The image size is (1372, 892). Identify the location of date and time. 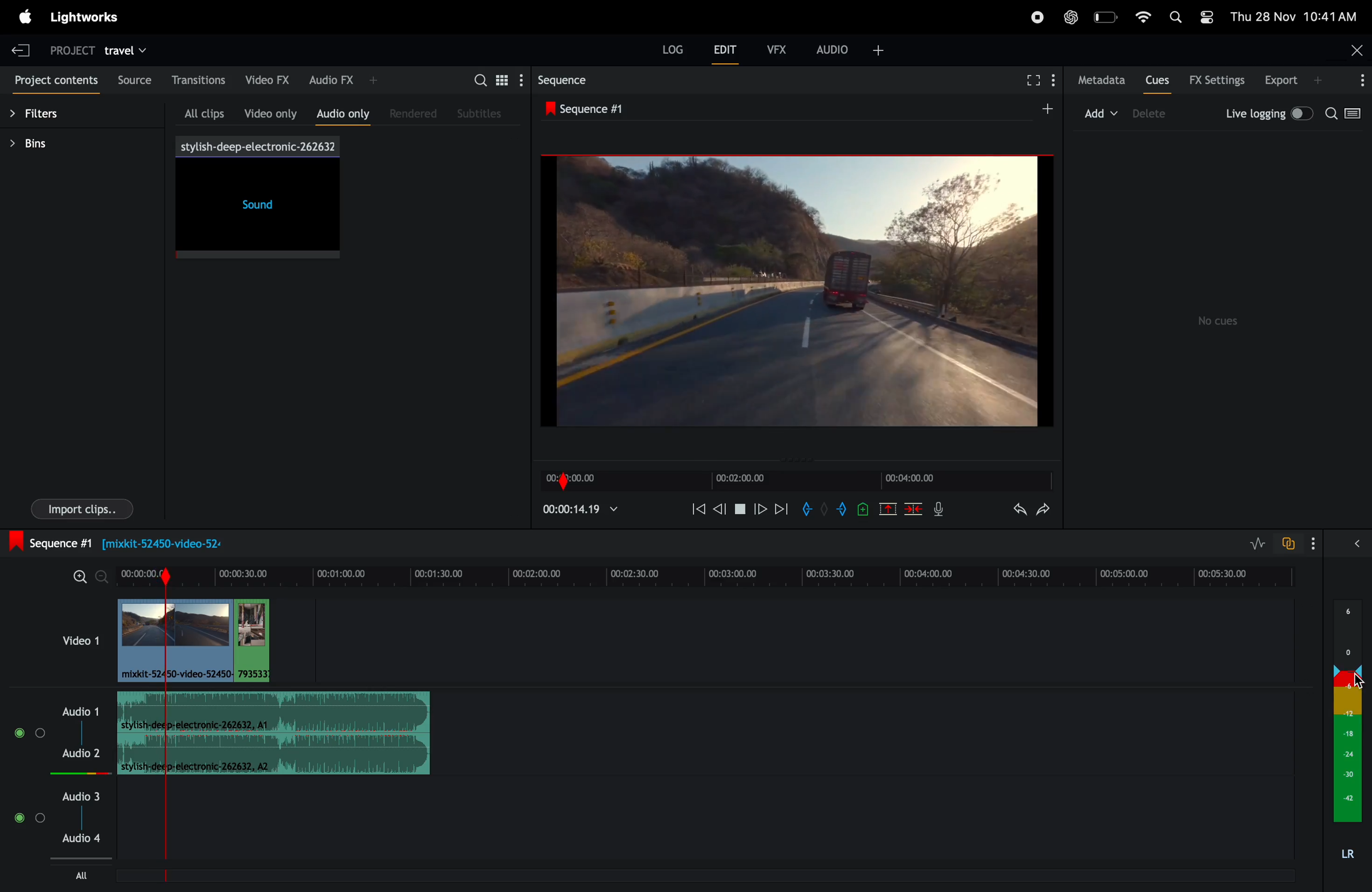
(1294, 16).